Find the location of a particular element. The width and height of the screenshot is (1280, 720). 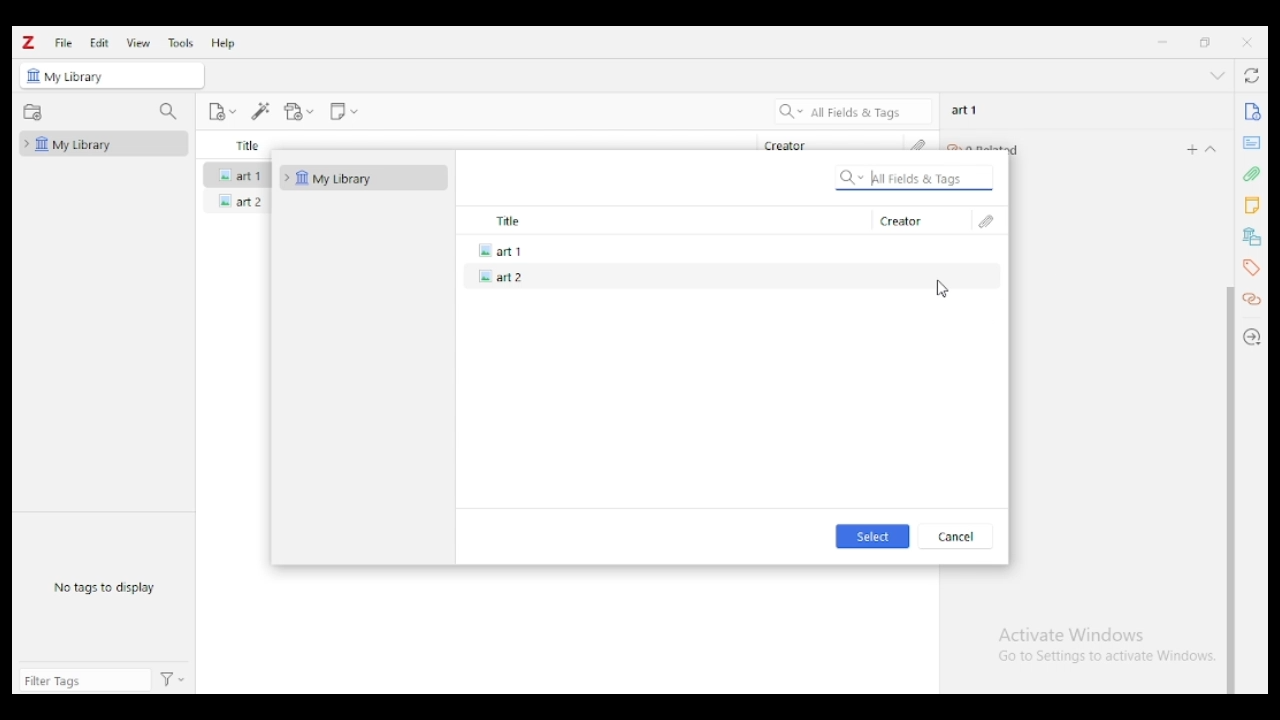

toggle collapse is located at coordinates (1218, 75).